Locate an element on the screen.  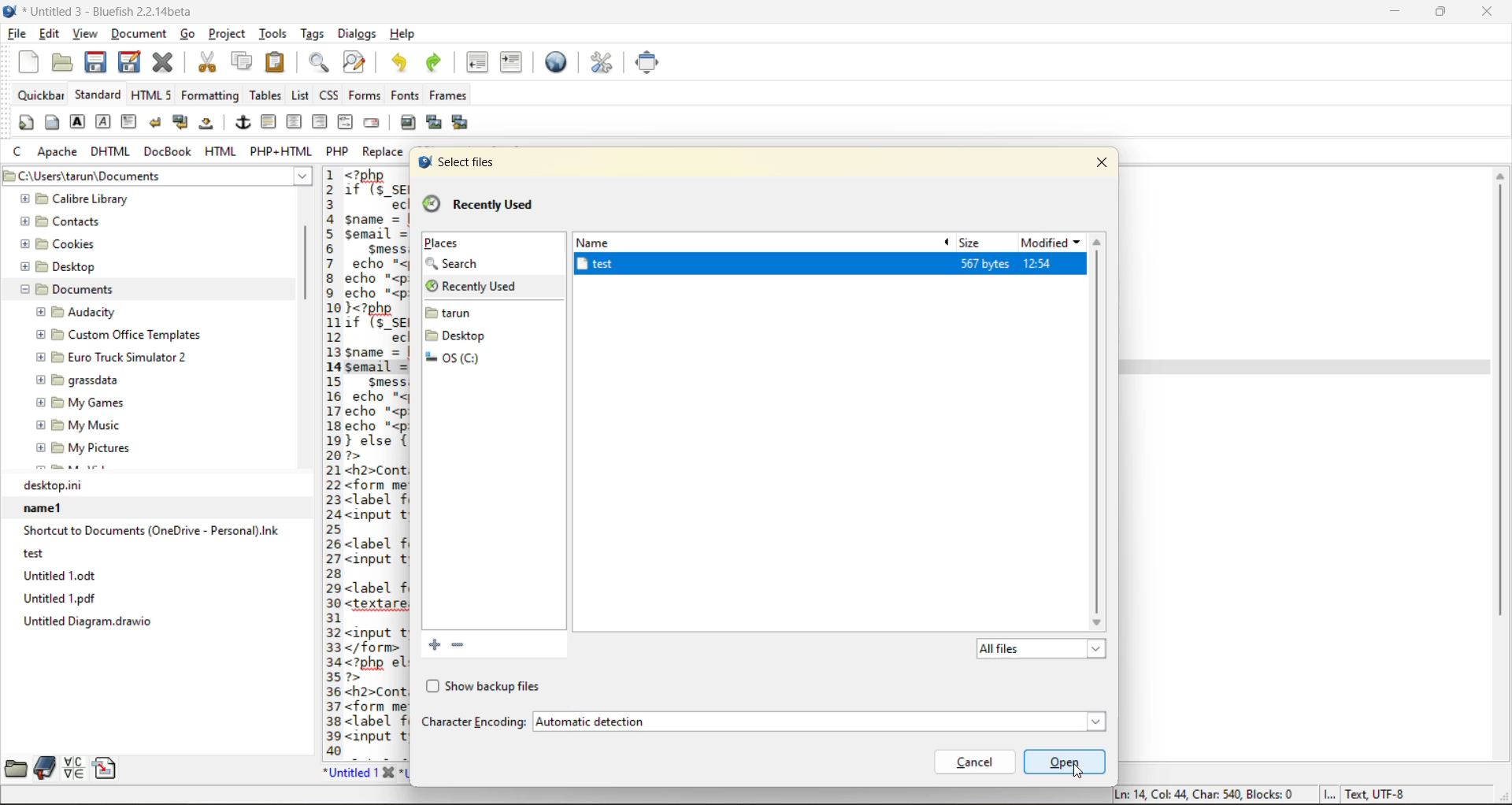
automatic detection is located at coordinates (815, 722).